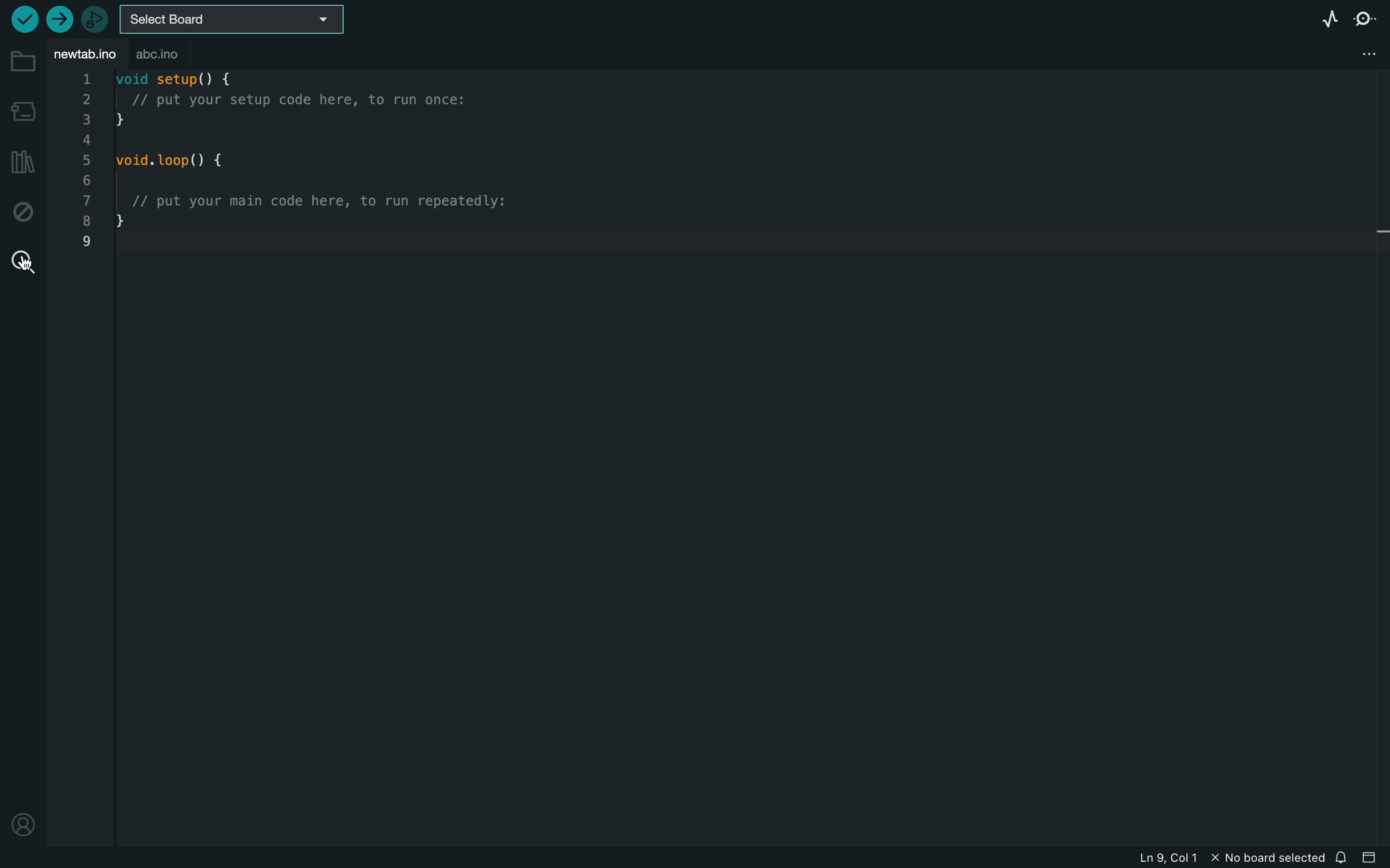  I want to click on board manager, so click(22, 109).